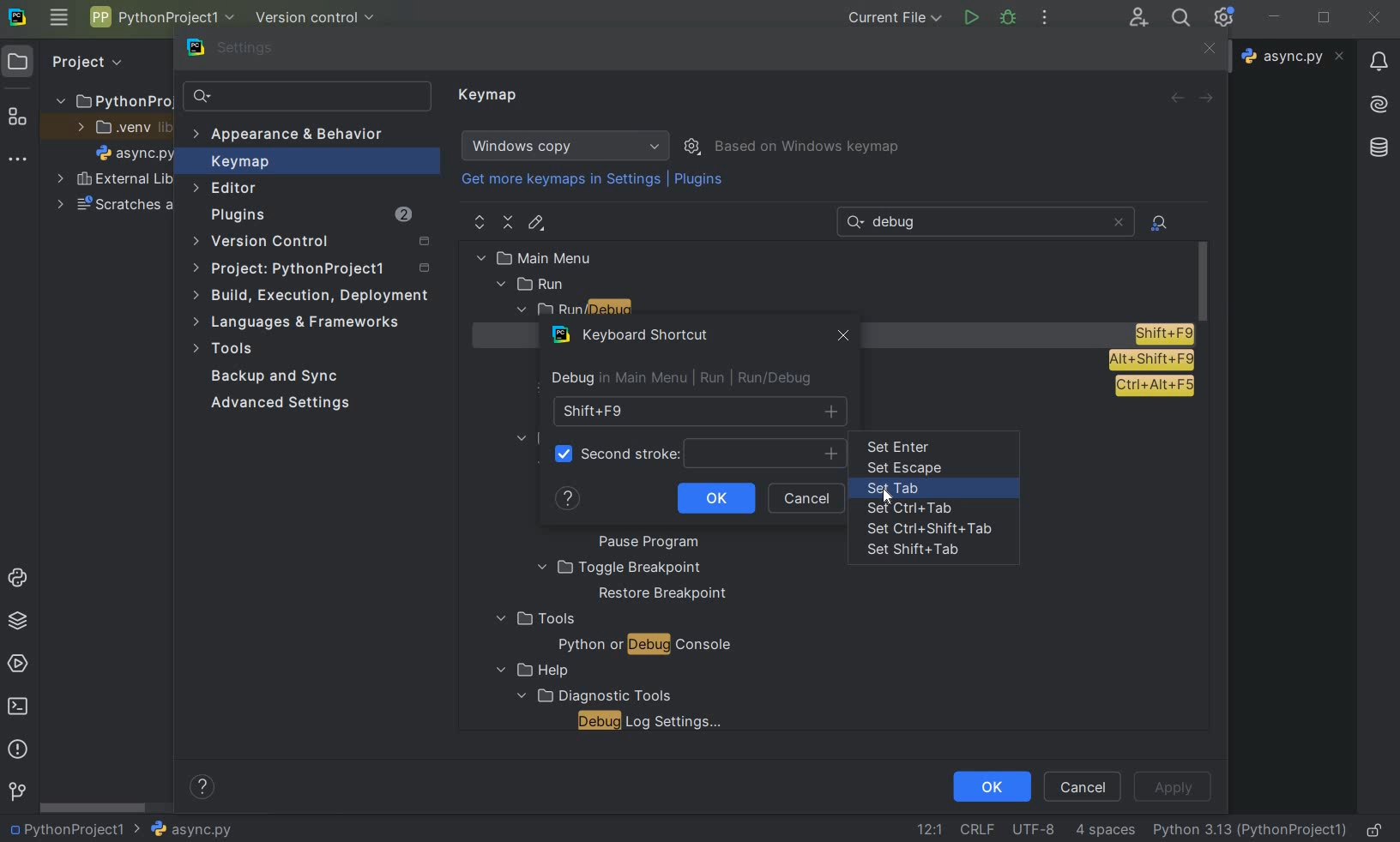 The height and width of the screenshot is (842, 1400). What do you see at coordinates (1381, 145) in the screenshot?
I see `database` at bounding box center [1381, 145].